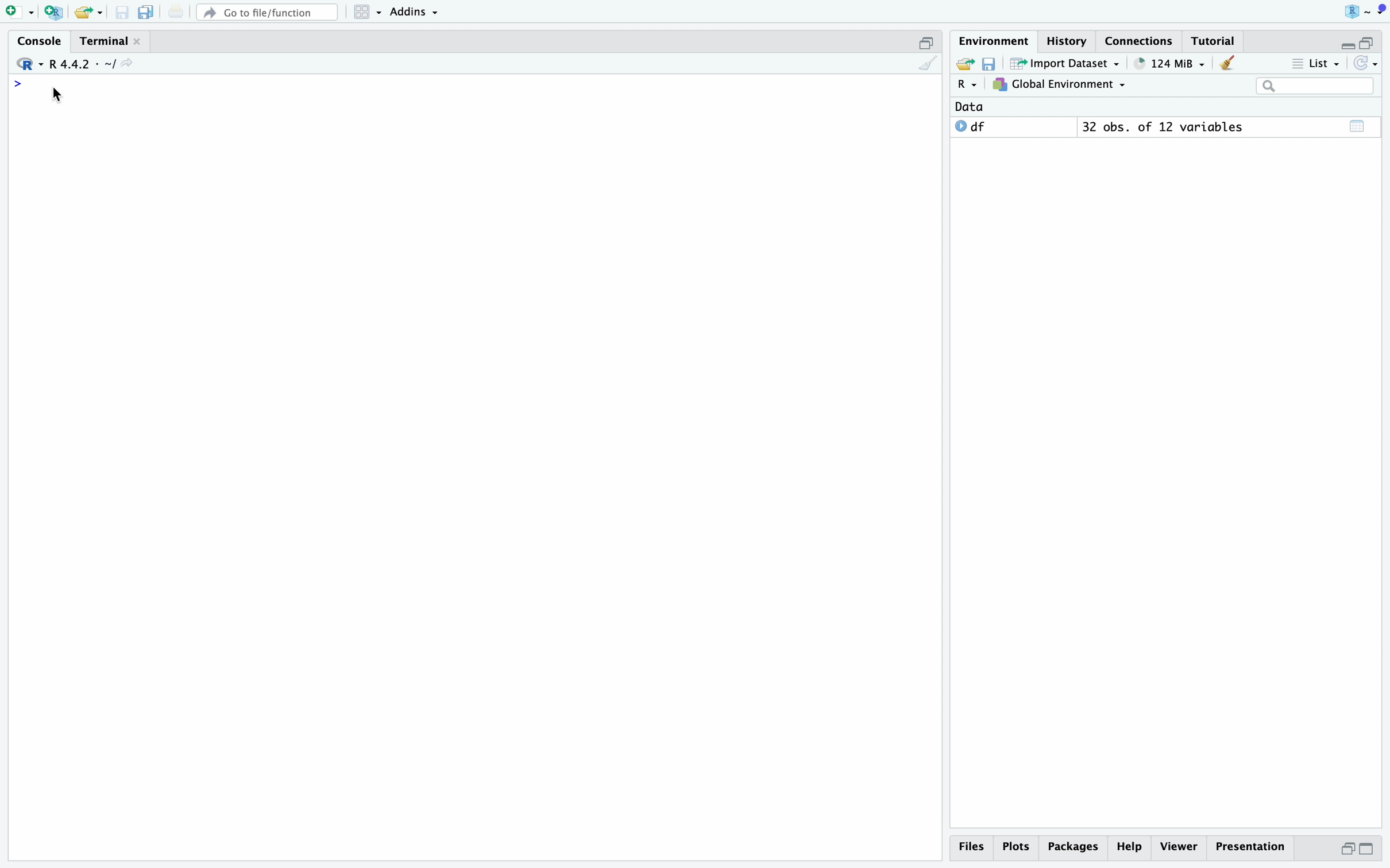  Describe the element at coordinates (104, 42) in the screenshot. I see `terminal` at that location.